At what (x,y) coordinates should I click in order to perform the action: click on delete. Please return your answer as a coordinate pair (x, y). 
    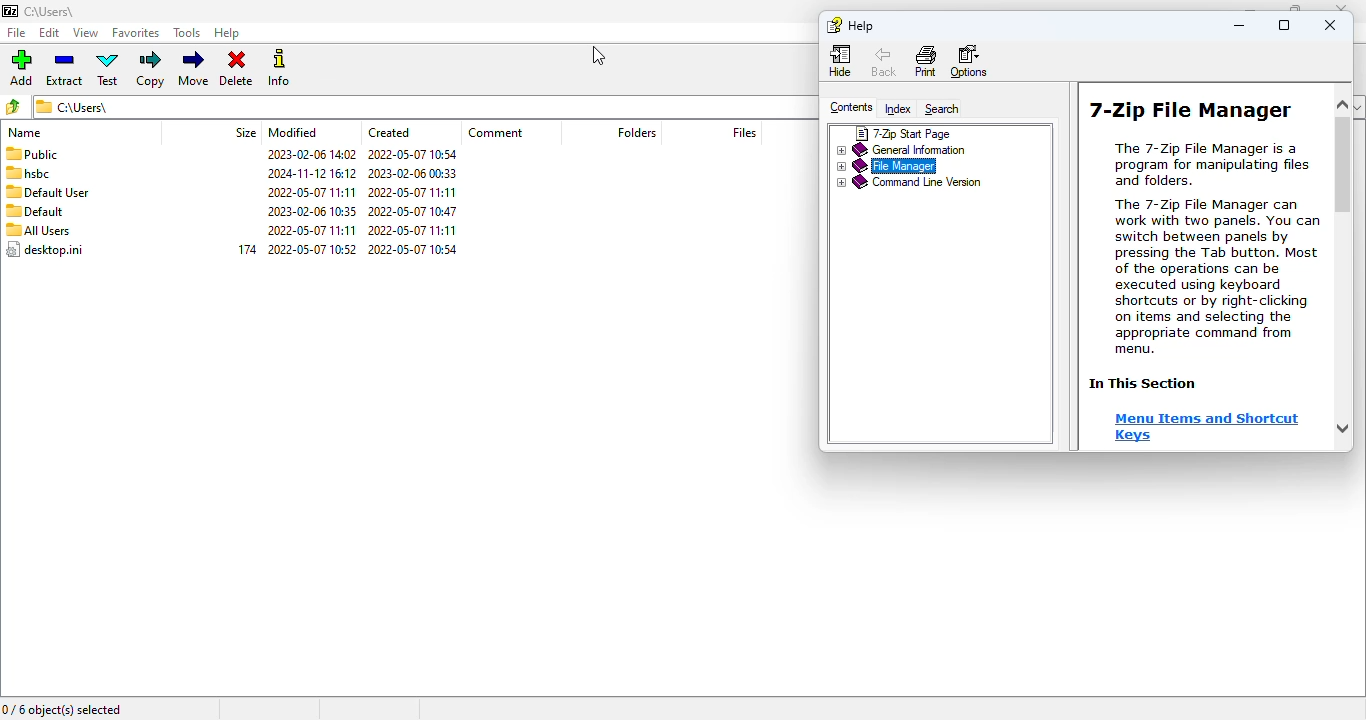
    Looking at the image, I should click on (240, 70).